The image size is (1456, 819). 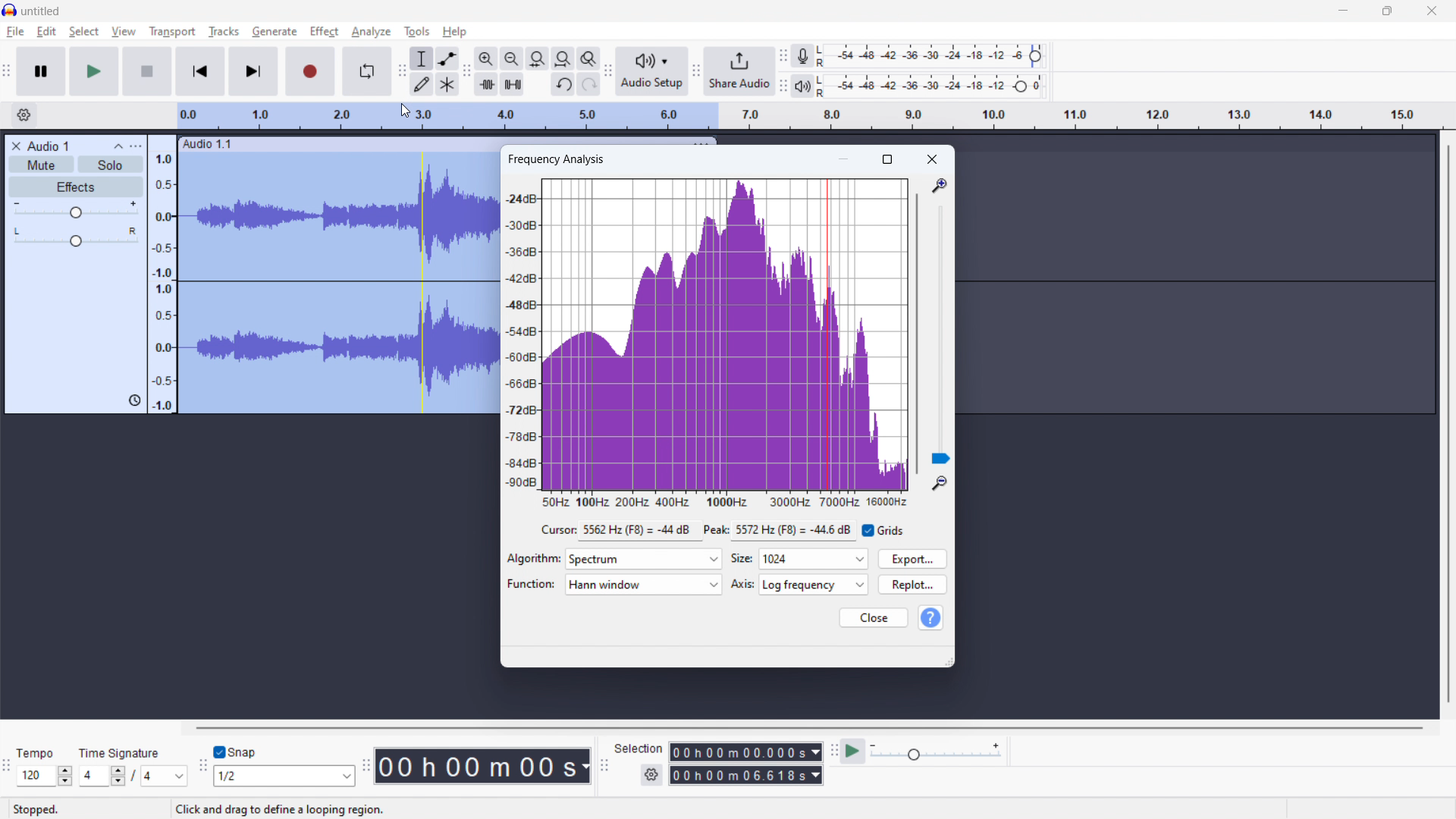 I want to click on replot, so click(x=914, y=584).